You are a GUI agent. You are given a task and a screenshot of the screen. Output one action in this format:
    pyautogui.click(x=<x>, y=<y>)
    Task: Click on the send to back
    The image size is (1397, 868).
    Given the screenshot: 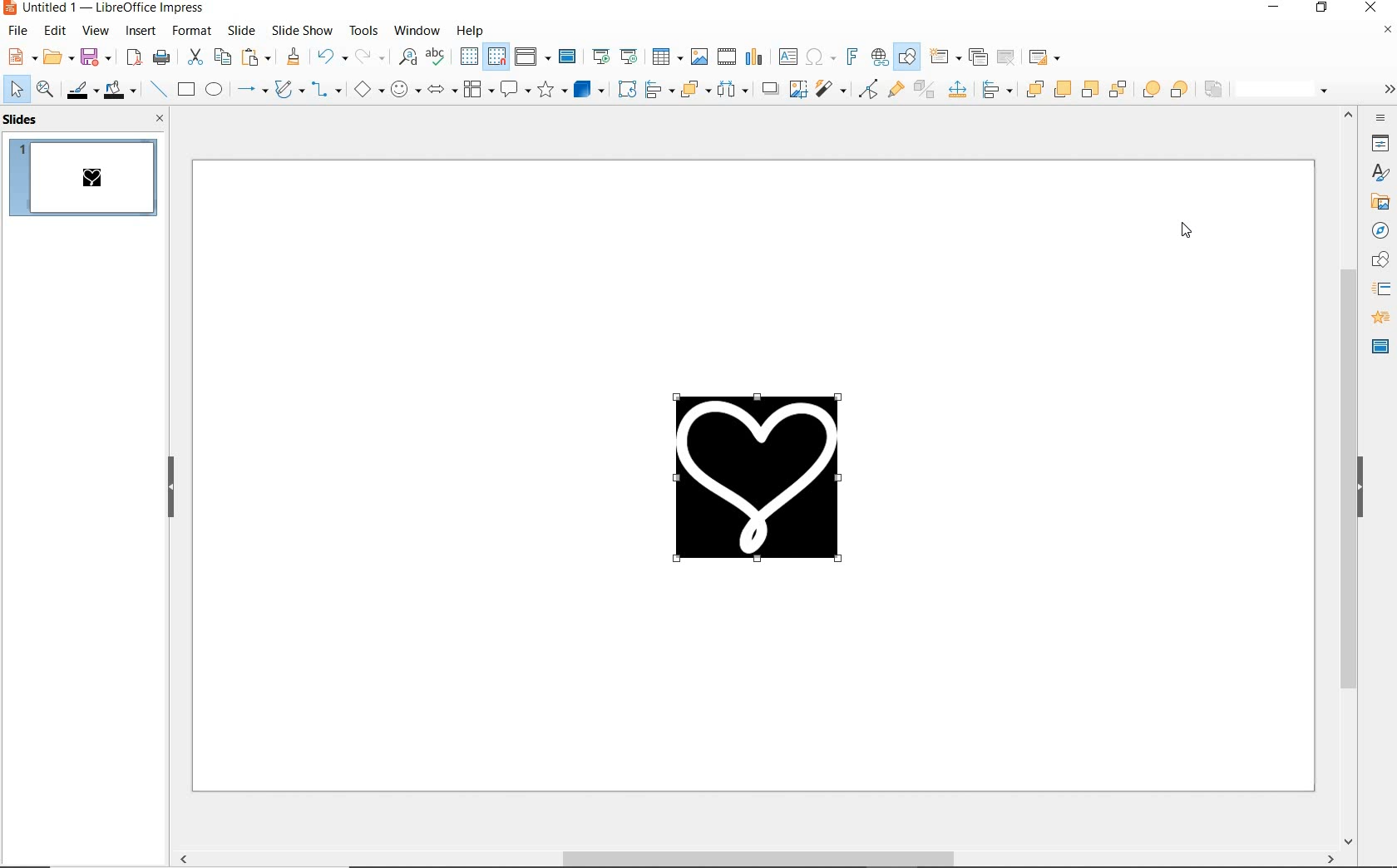 What is the action you would take?
    pyautogui.click(x=1117, y=91)
    